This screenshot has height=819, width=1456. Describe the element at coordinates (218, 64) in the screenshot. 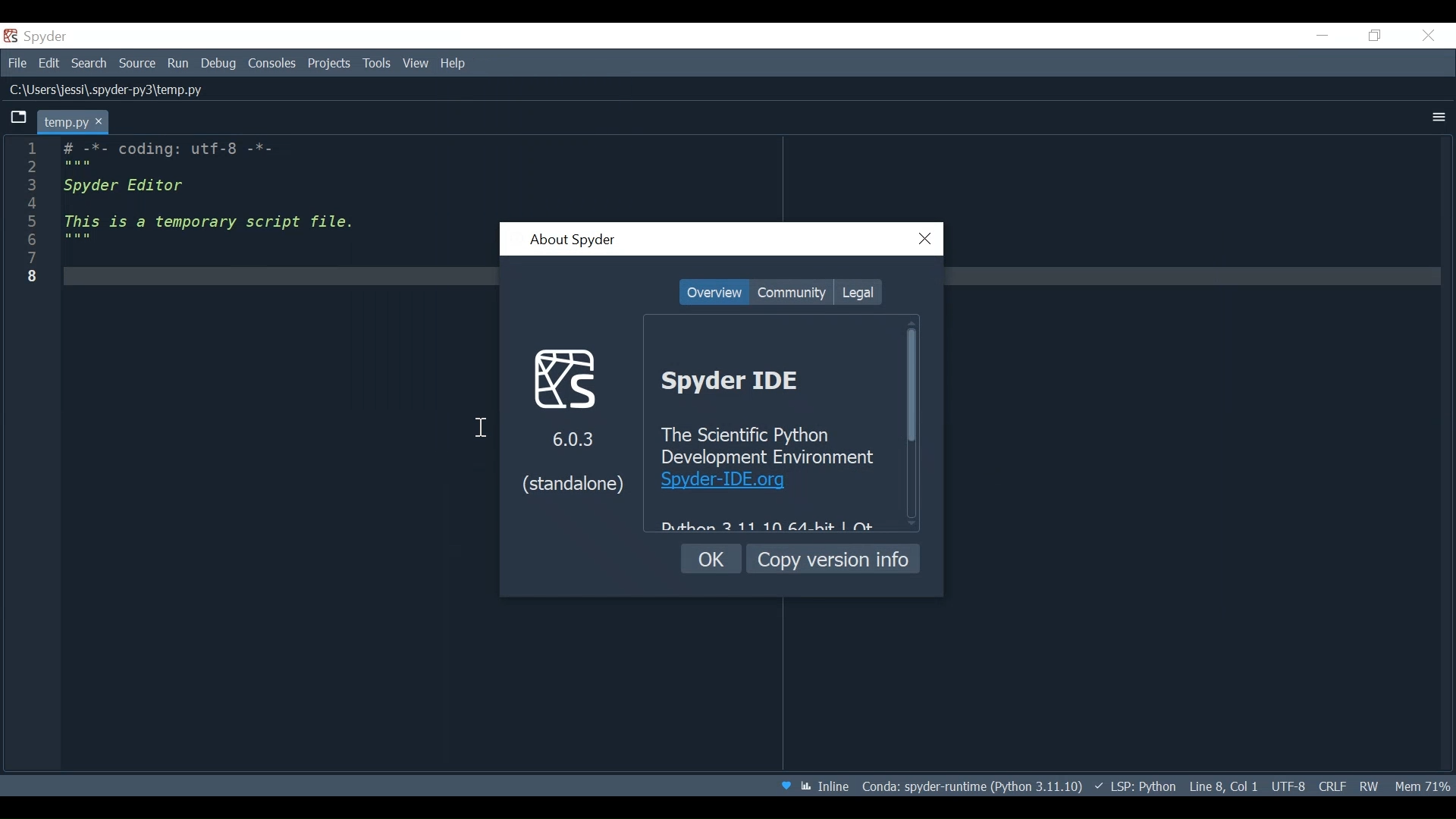

I see `Debug` at that location.